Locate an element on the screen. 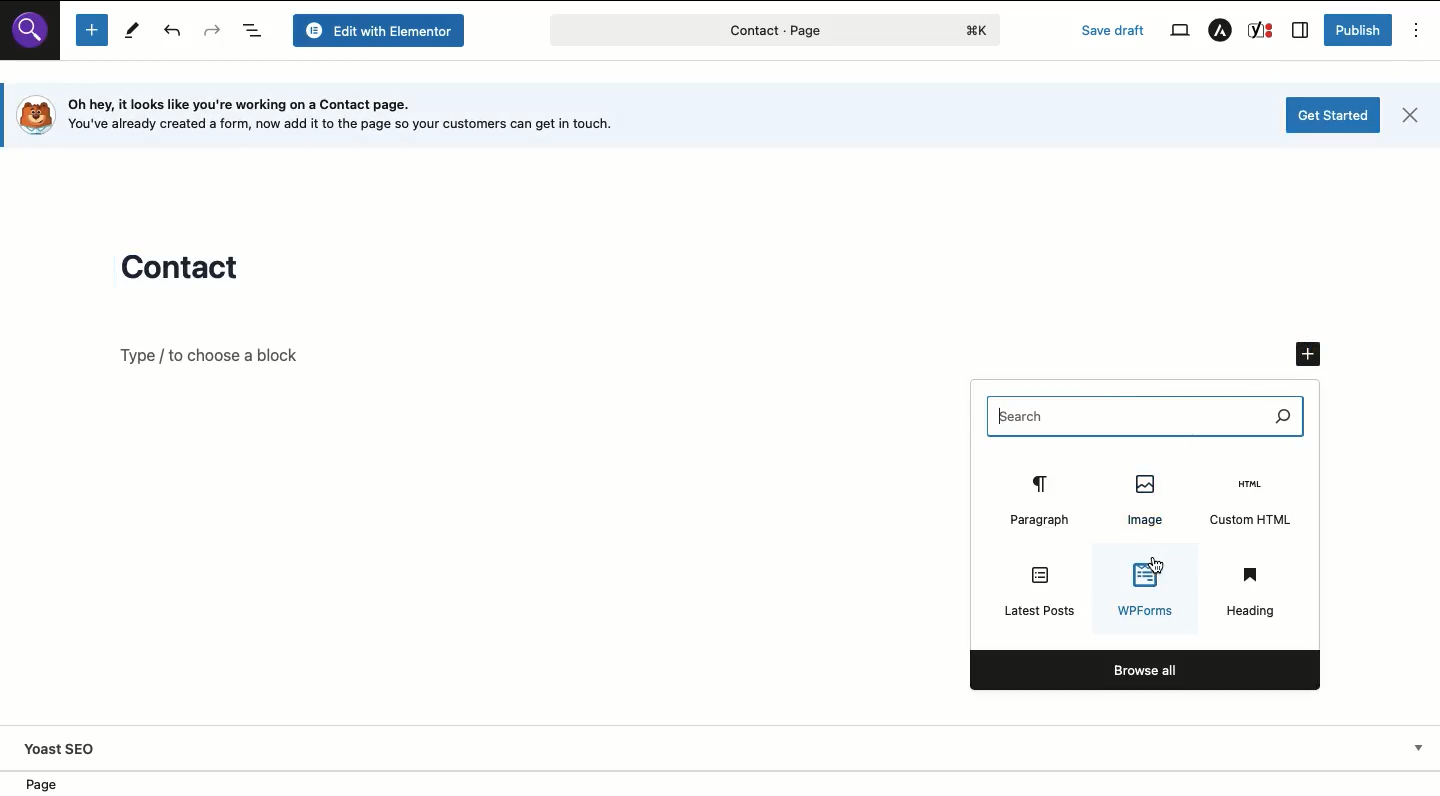 This screenshot has width=1440, height=796. Search is located at coordinates (1146, 414).